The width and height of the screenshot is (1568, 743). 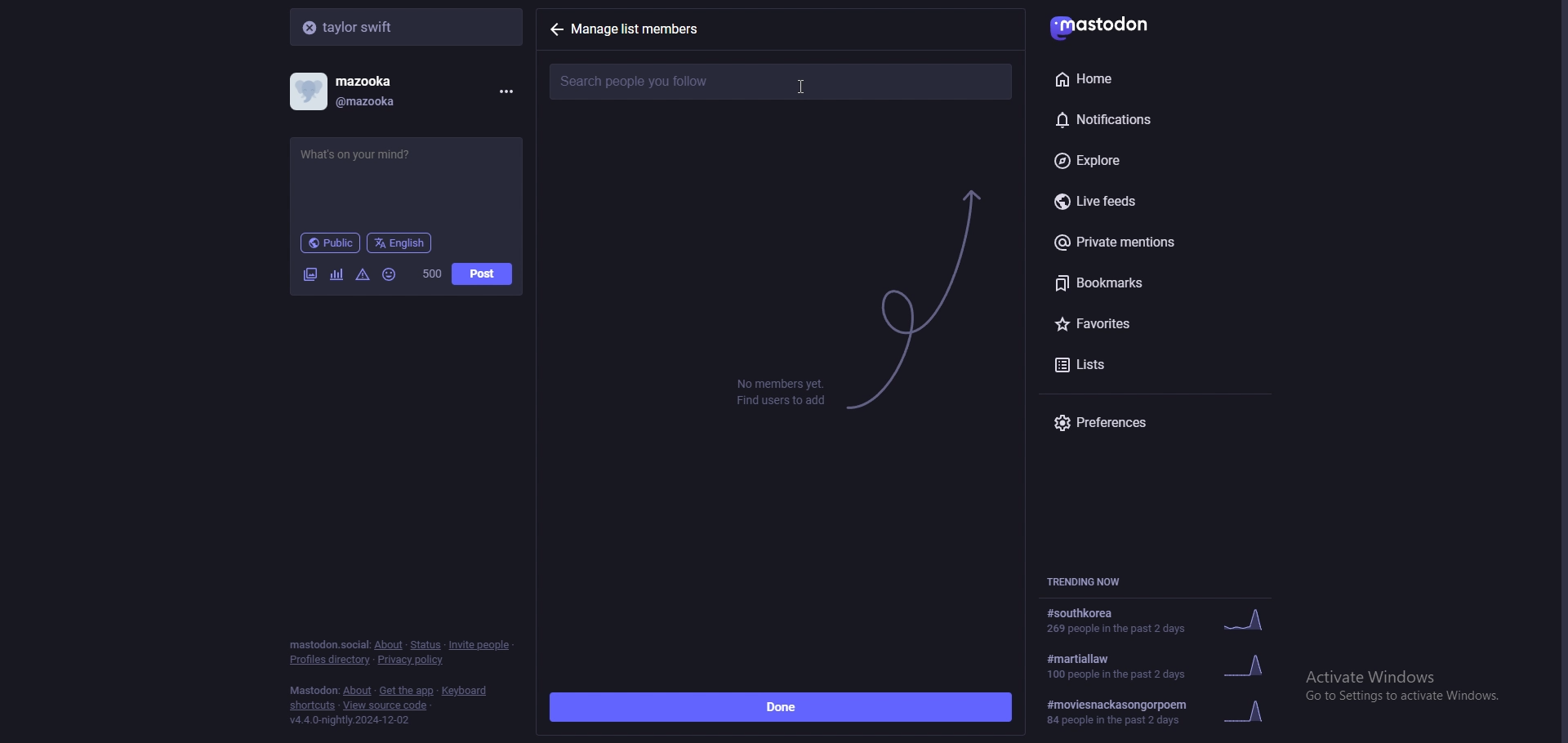 What do you see at coordinates (412, 661) in the screenshot?
I see `privacy policy` at bounding box center [412, 661].